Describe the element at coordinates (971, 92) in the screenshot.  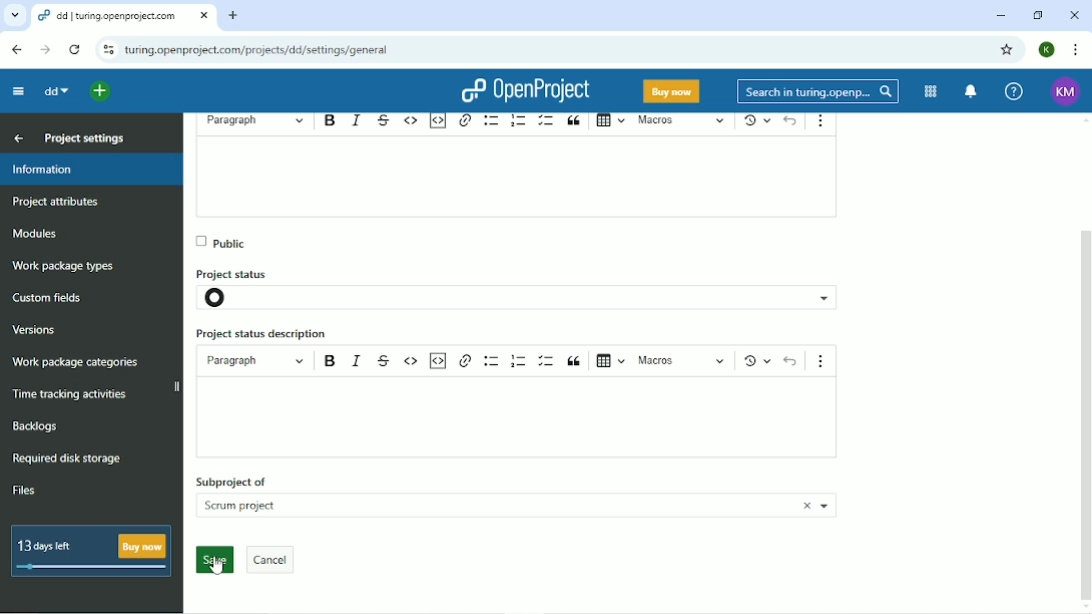
I see `To notification center` at that location.